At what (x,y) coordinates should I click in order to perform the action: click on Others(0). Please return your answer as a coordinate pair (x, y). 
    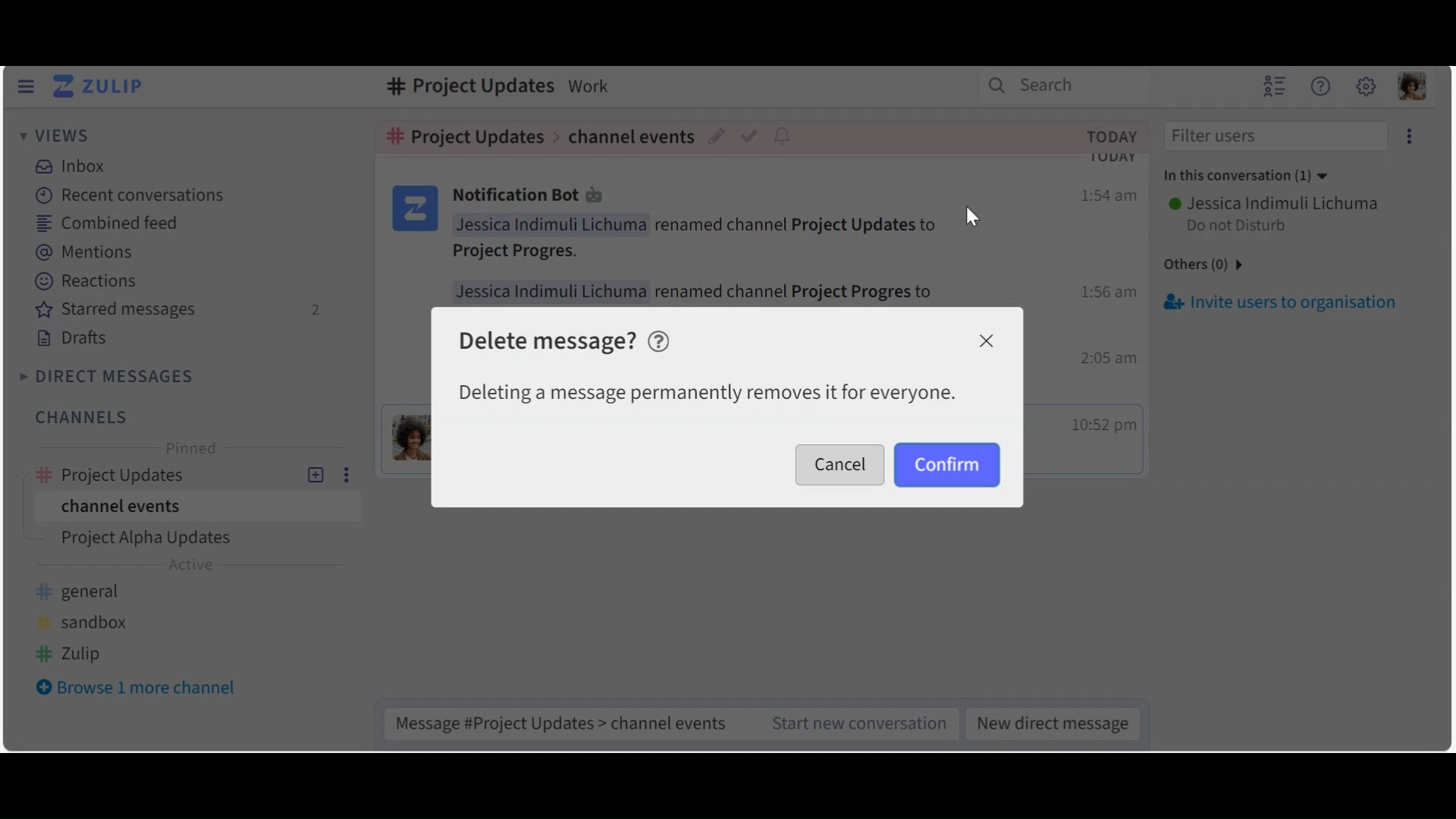
    Looking at the image, I should click on (1218, 265).